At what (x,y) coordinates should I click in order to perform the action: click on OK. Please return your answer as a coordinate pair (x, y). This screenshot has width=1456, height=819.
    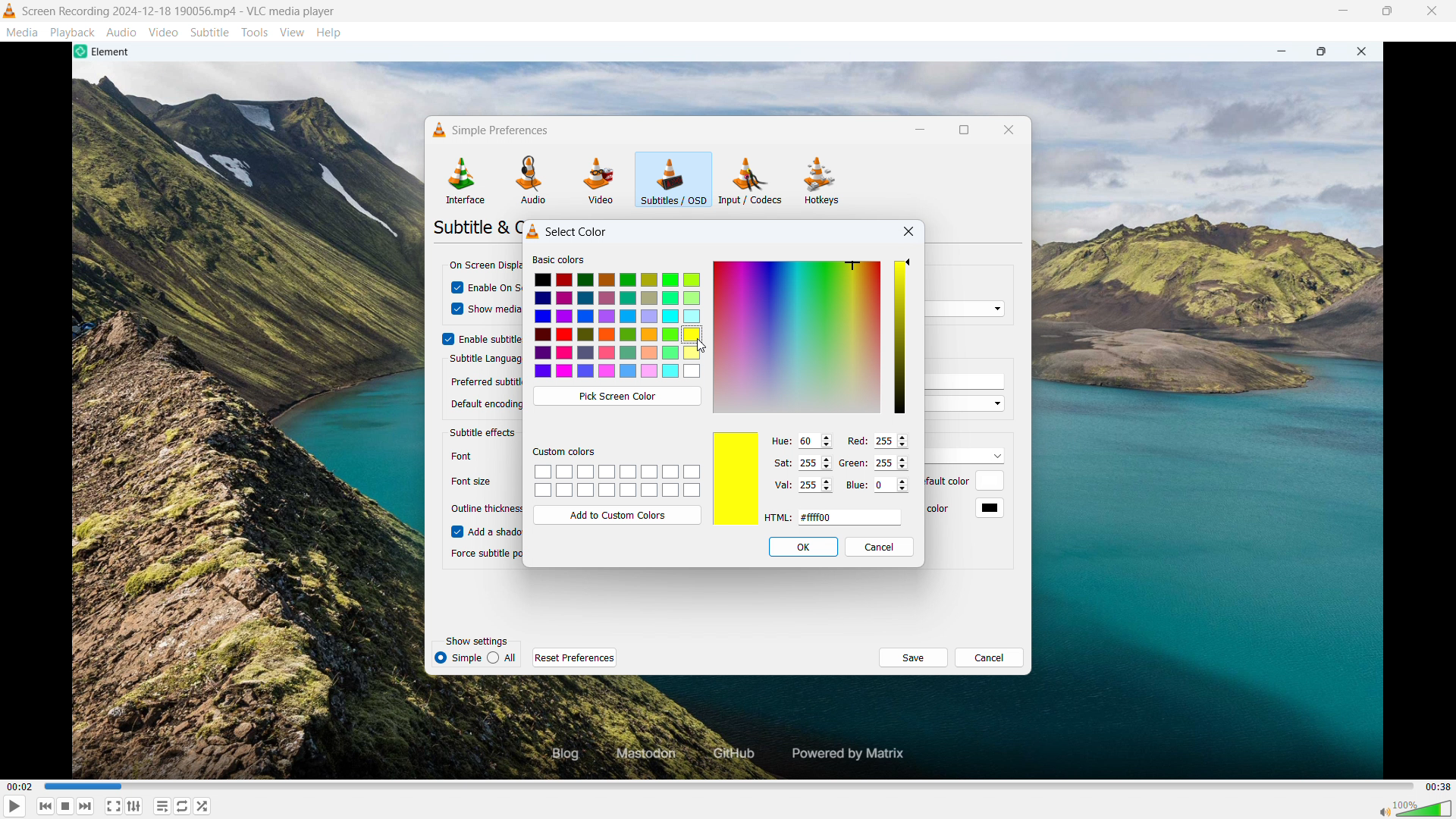
    Looking at the image, I should click on (804, 546).